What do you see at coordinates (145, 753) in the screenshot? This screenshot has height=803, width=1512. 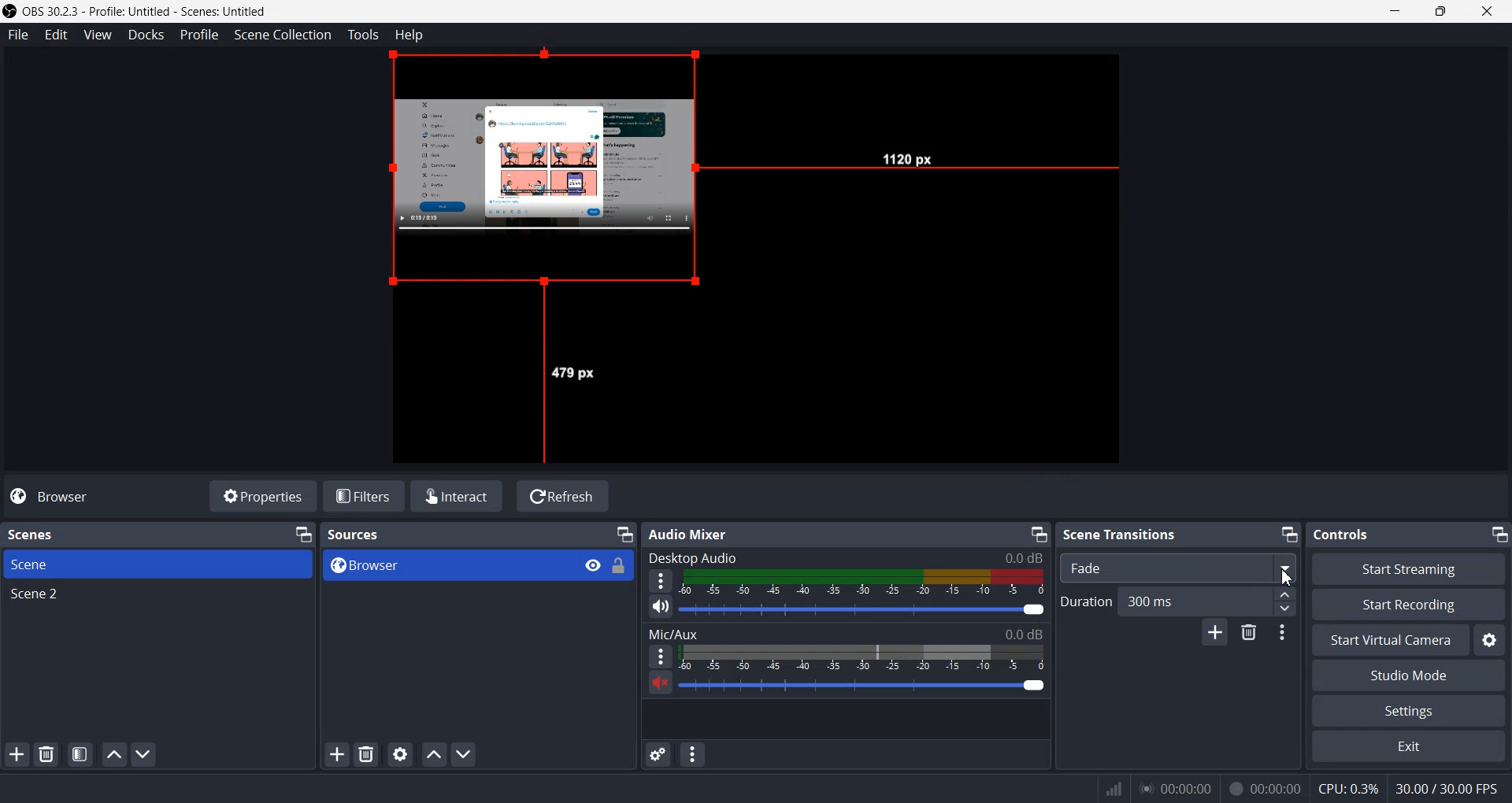 I see `Move Scene down` at bounding box center [145, 753].